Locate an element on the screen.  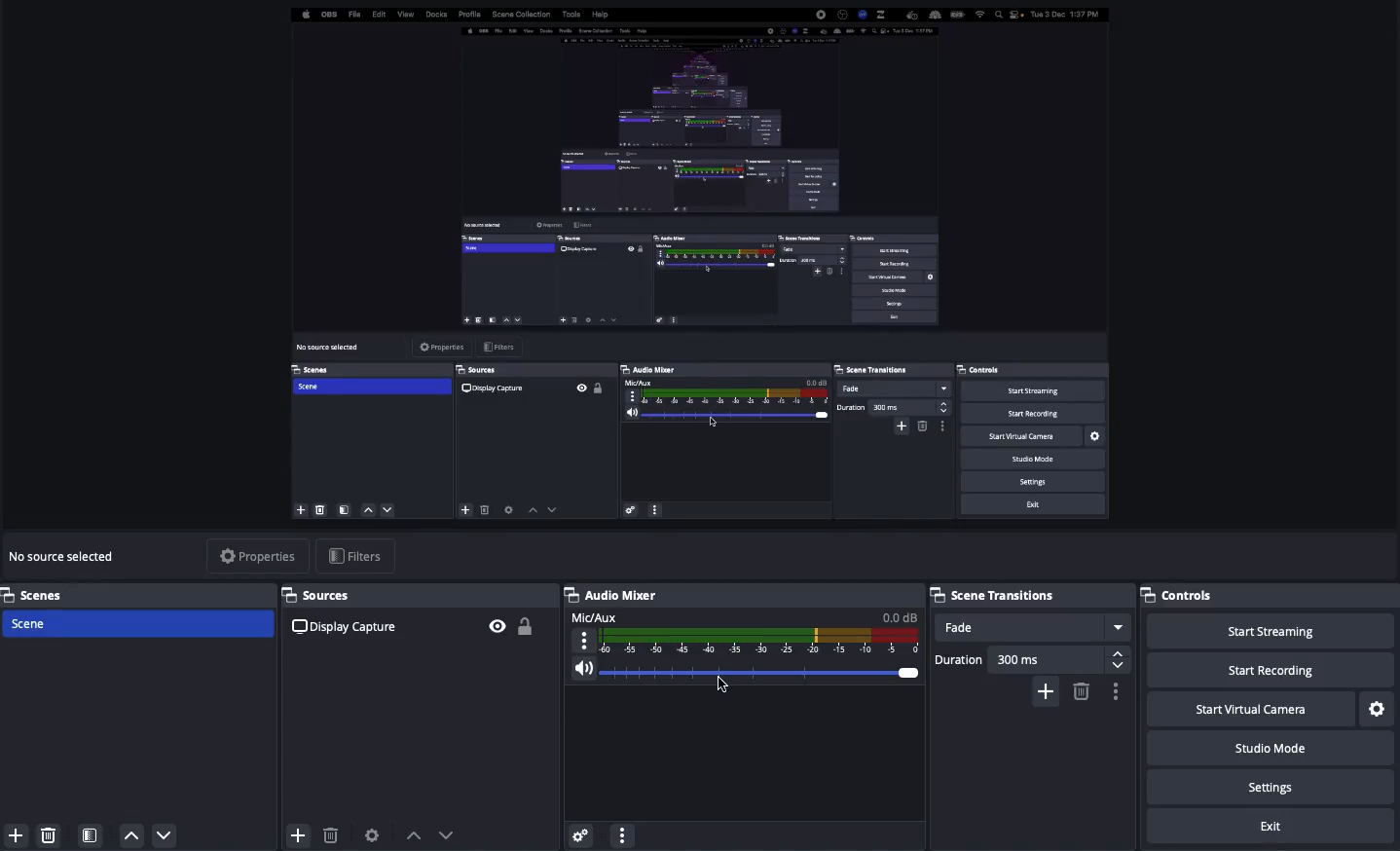
Scenes is located at coordinates (138, 594).